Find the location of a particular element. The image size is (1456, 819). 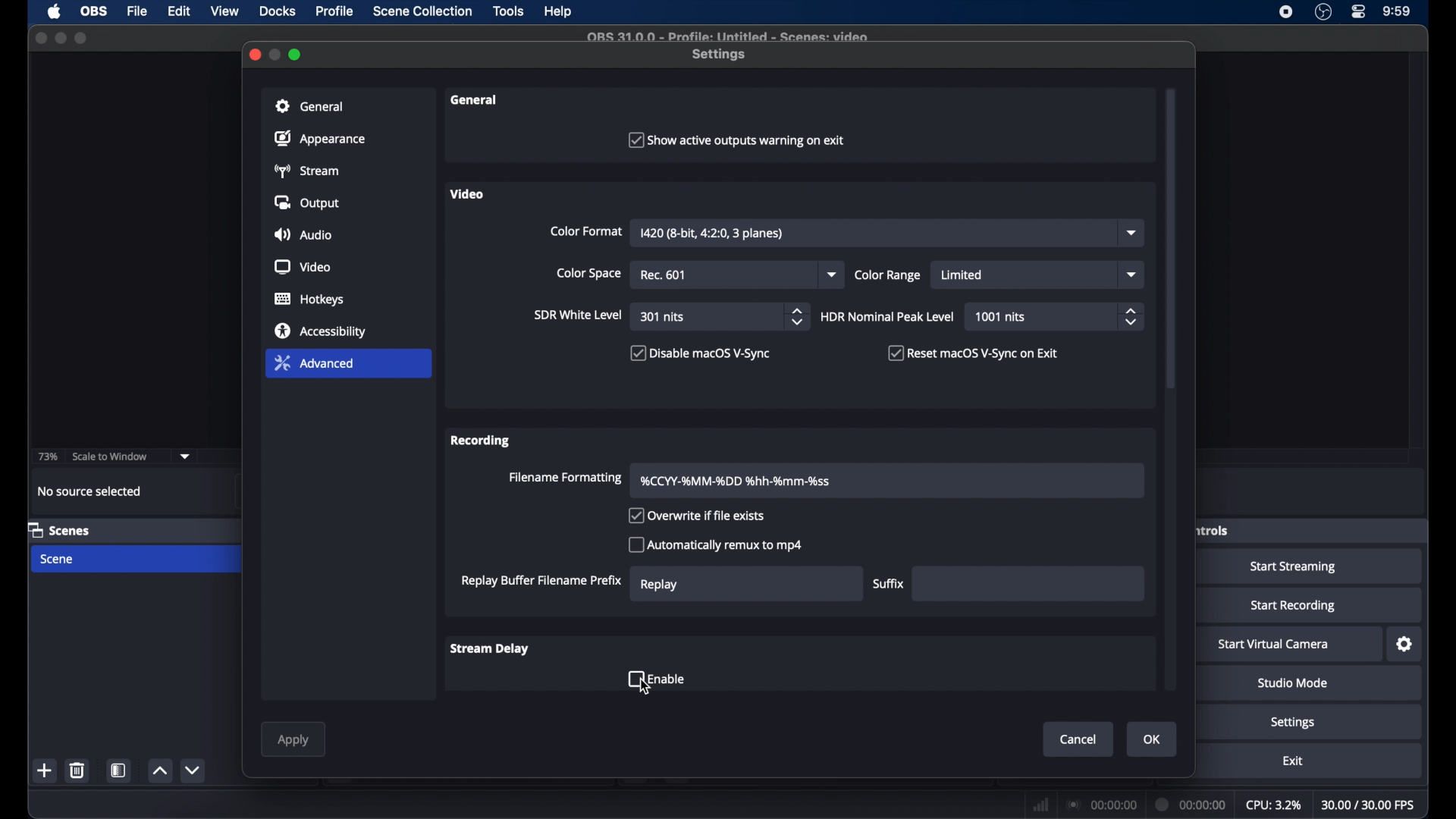

stepper buttons is located at coordinates (1130, 317).